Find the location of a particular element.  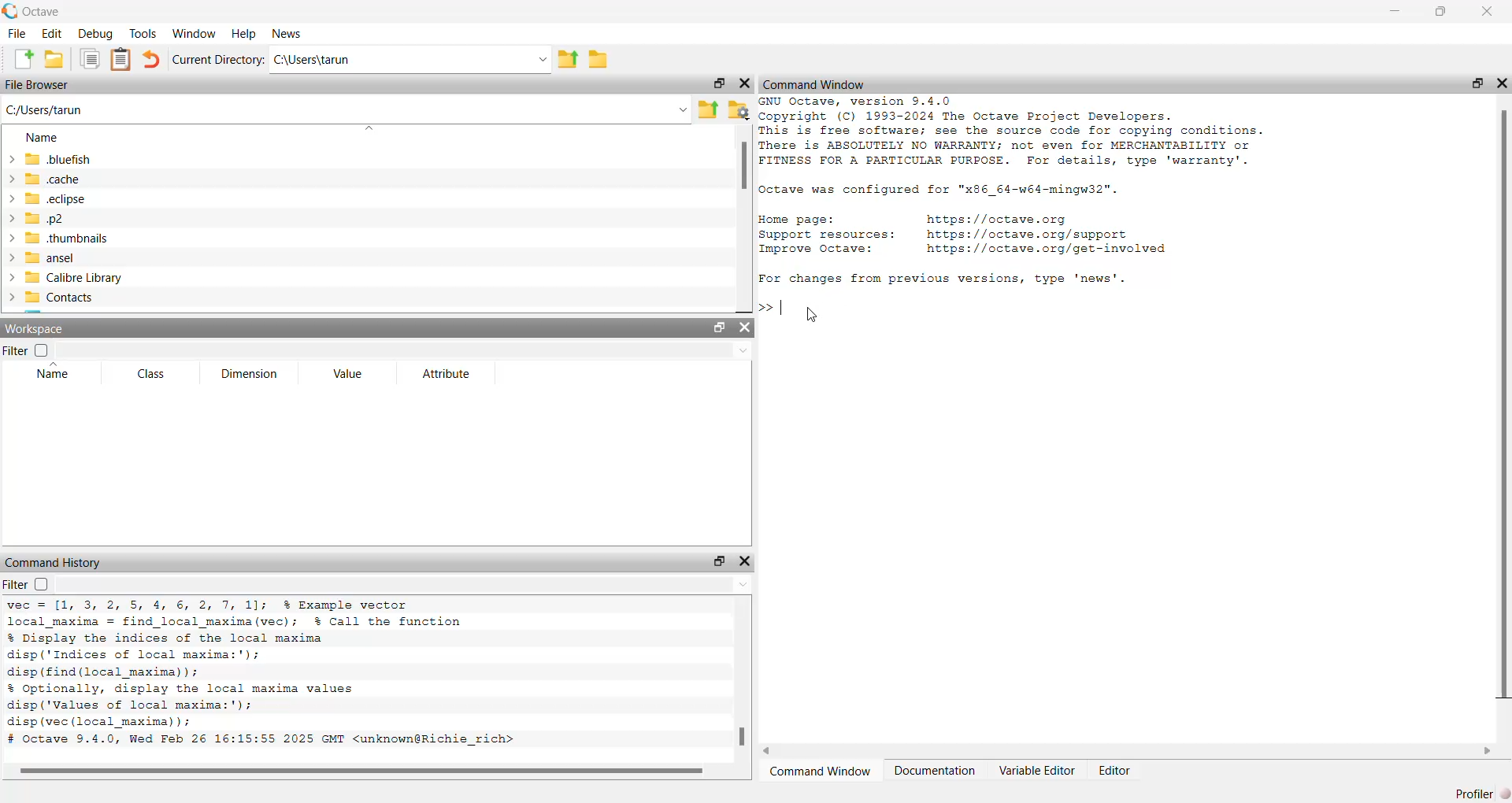

Value is located at coordinates (347, 373).